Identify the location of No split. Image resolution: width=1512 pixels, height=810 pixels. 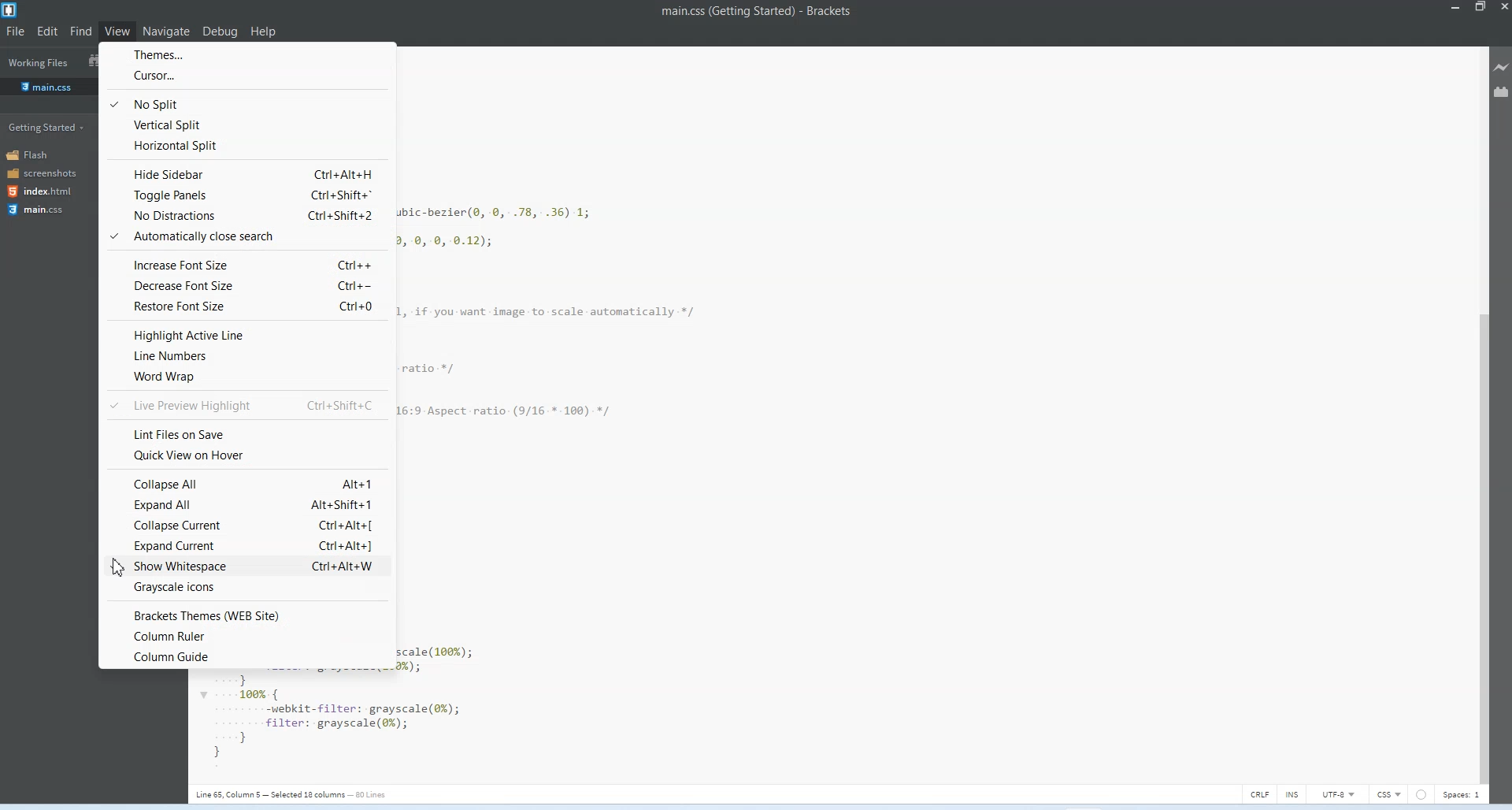
(248, 102).